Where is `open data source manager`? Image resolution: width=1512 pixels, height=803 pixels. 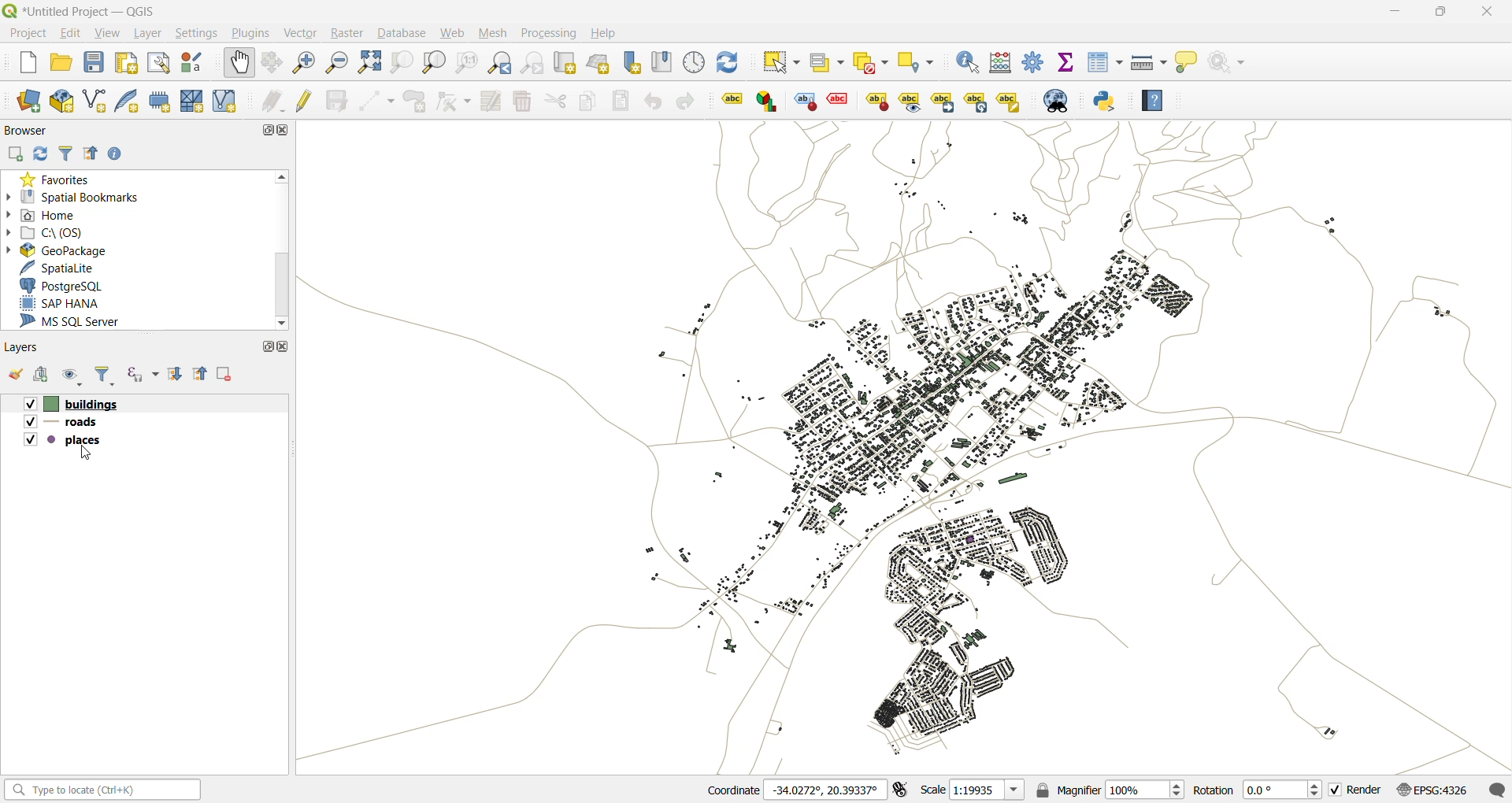 open data source manager is located at coordinates (31, 101).